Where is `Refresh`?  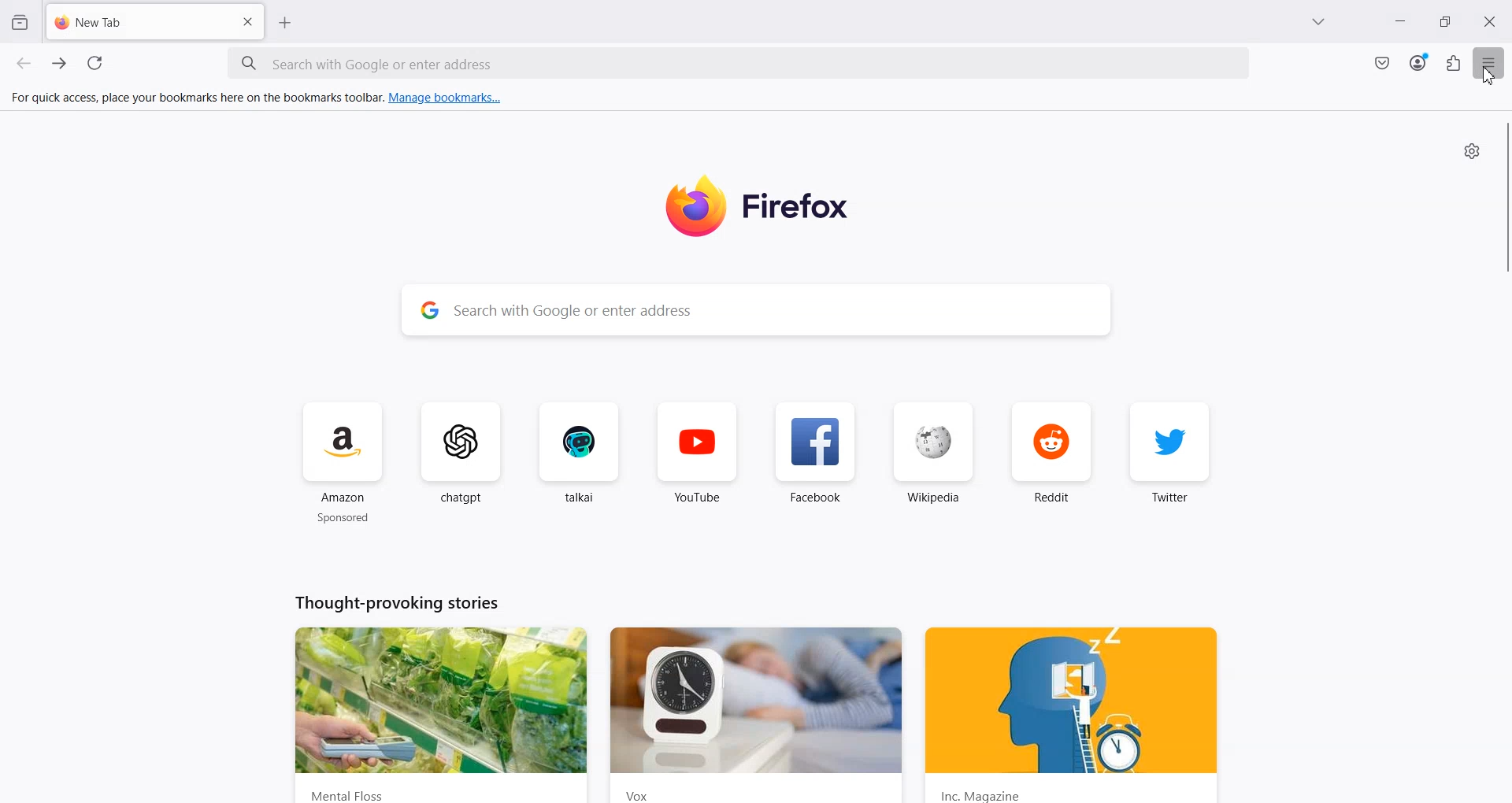 Refresh is located at coordinates (98, 64).